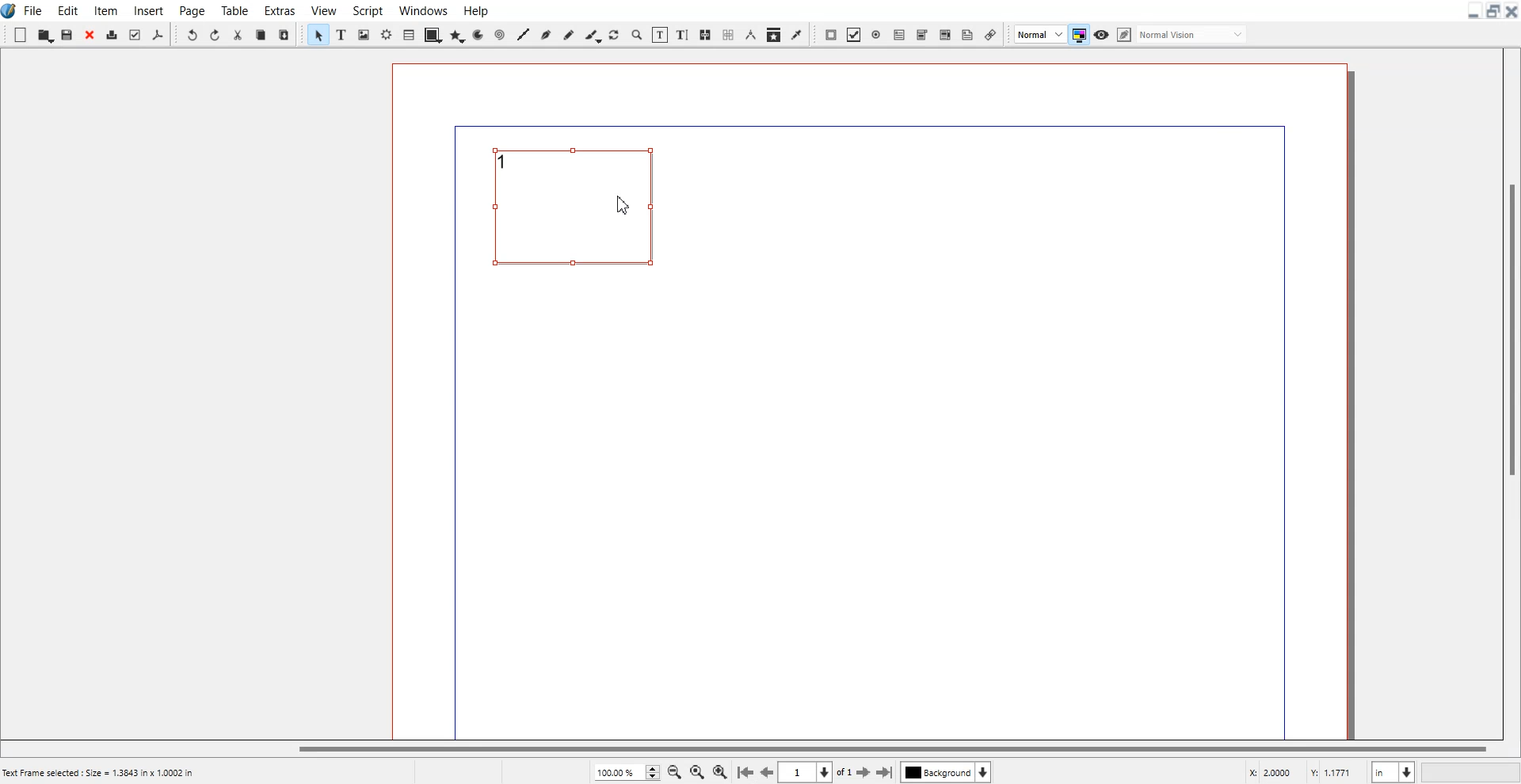 Image resolution: width=1521 pixels, height=784 pixels. What do you see at coordinates (318, 34) in the screenshot?
I see `Select Item` at bounding box center [318, 34].